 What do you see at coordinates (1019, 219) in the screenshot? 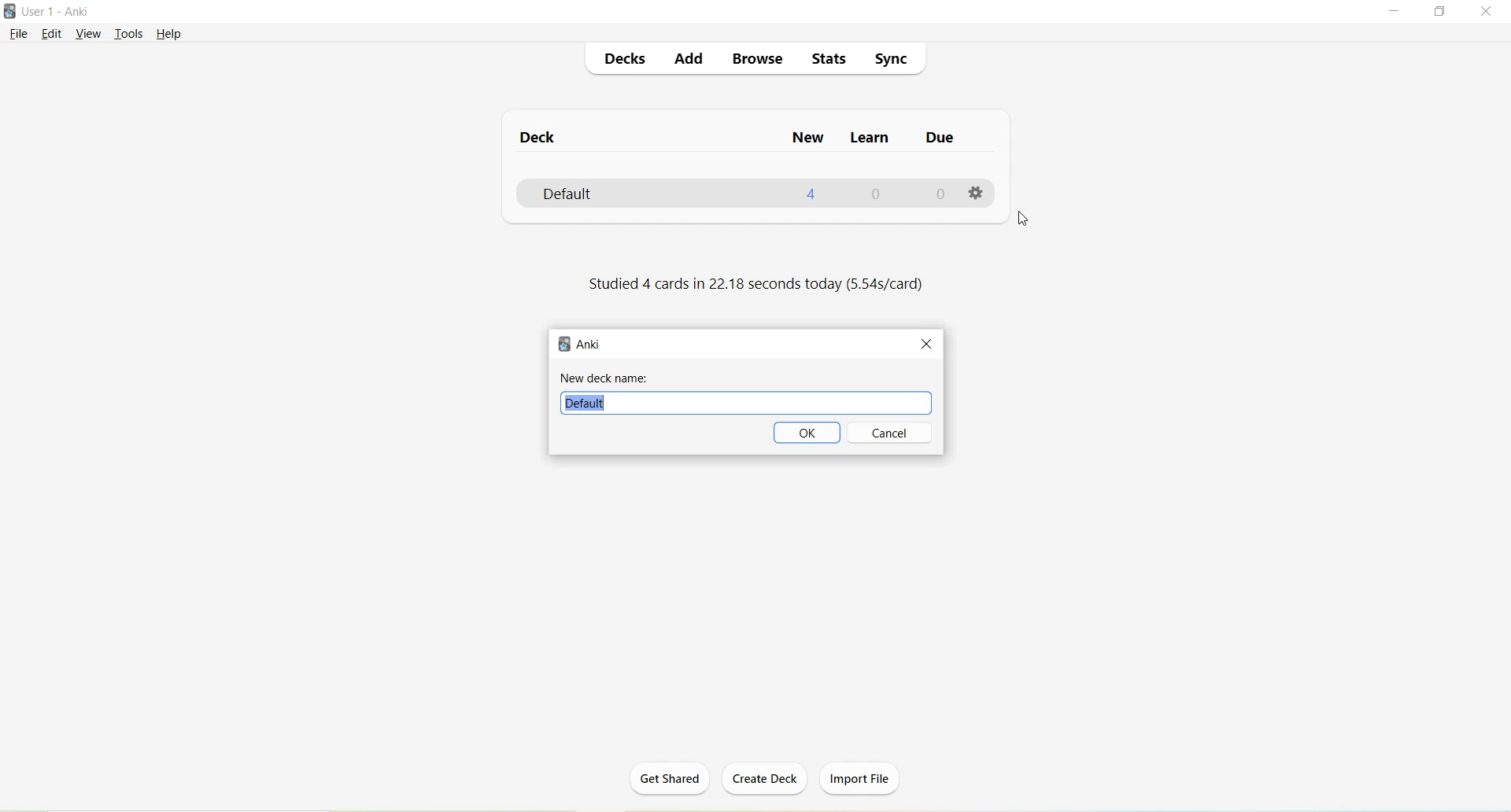
I see `Cursor` at bounding box center [1019, 219].